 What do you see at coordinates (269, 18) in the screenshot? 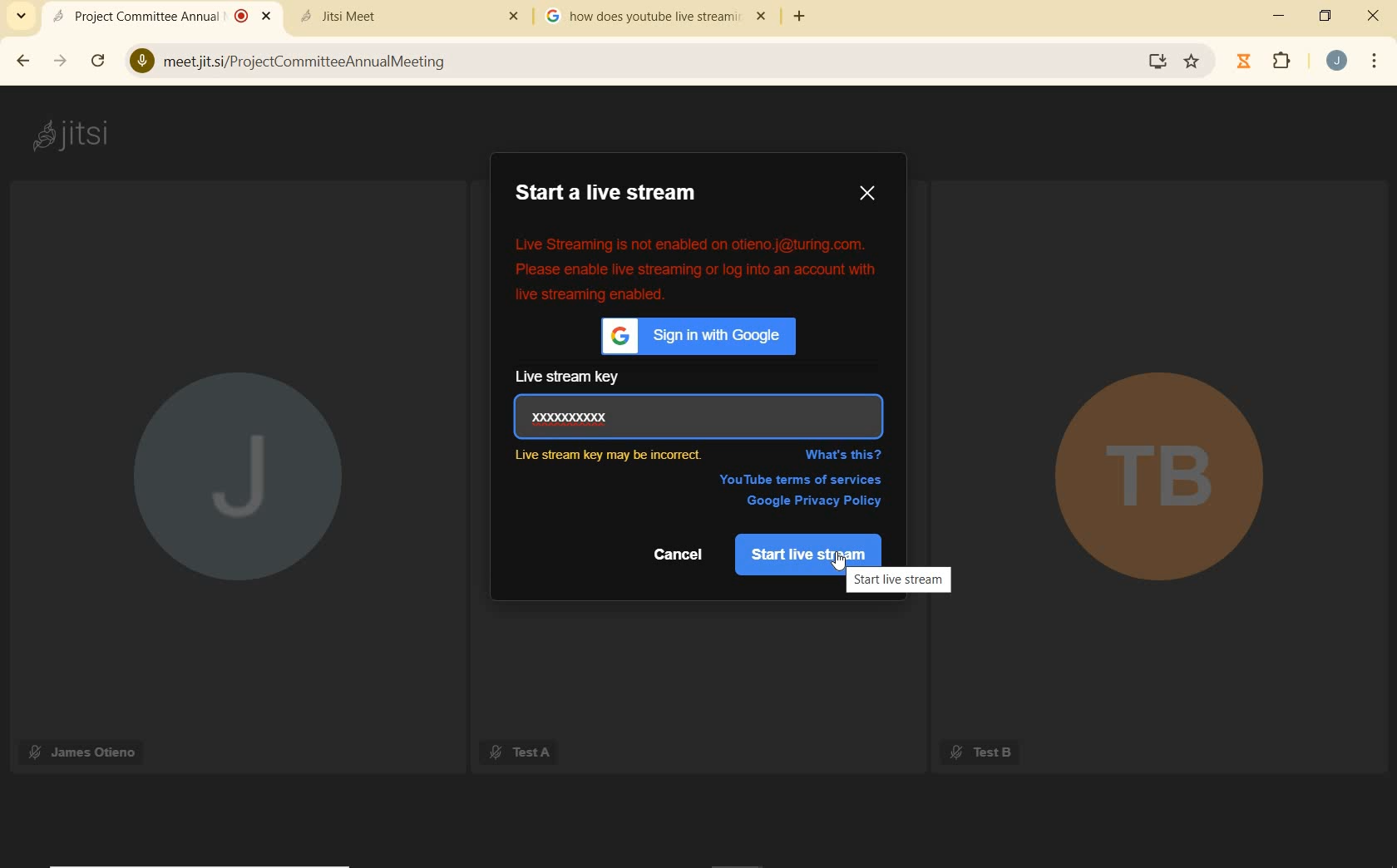
I see `Close` at bounding box center [269, 18].